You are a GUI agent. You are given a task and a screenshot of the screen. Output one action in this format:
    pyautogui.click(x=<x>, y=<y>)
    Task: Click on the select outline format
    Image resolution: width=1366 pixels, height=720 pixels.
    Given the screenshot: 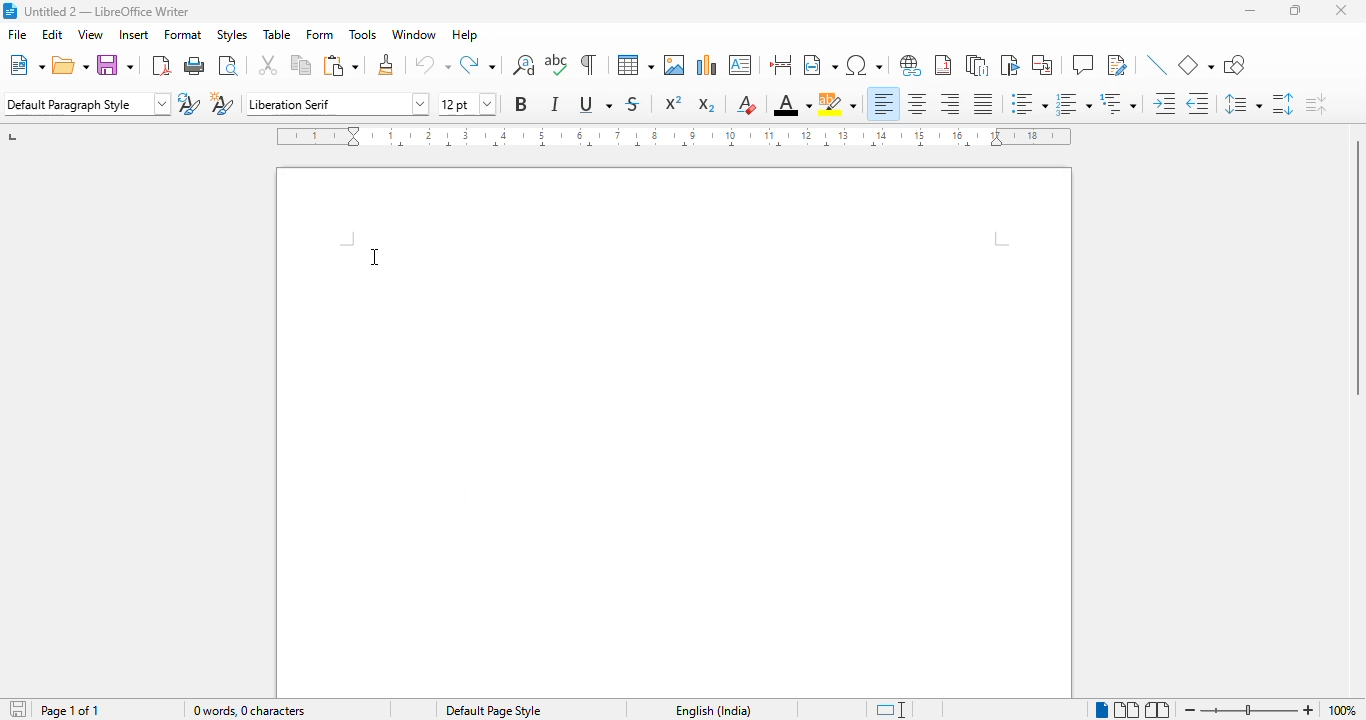 What is the action you would take?
    pyautogui.click(x=1119, y=103)
    